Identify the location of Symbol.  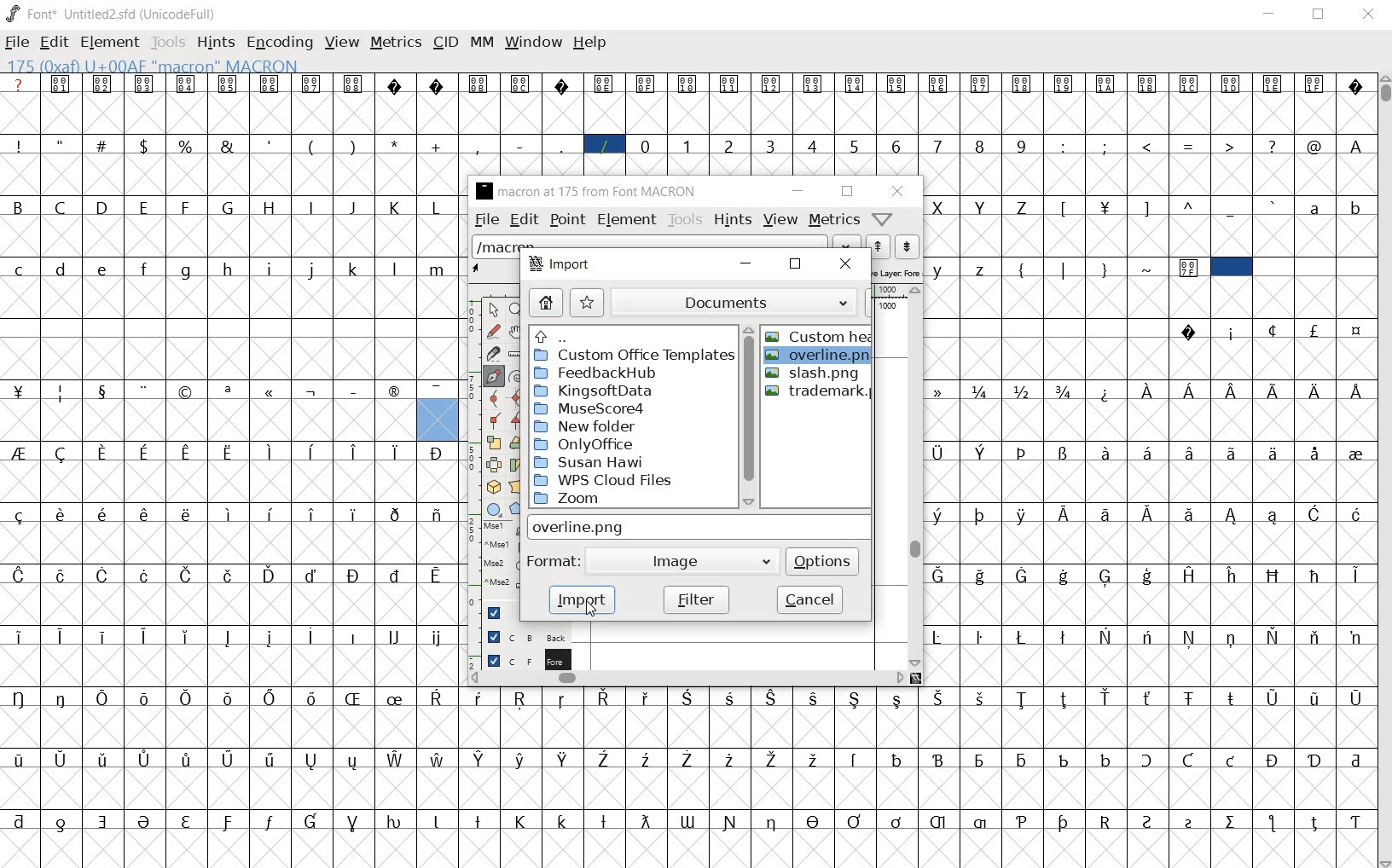
(1147, 760).